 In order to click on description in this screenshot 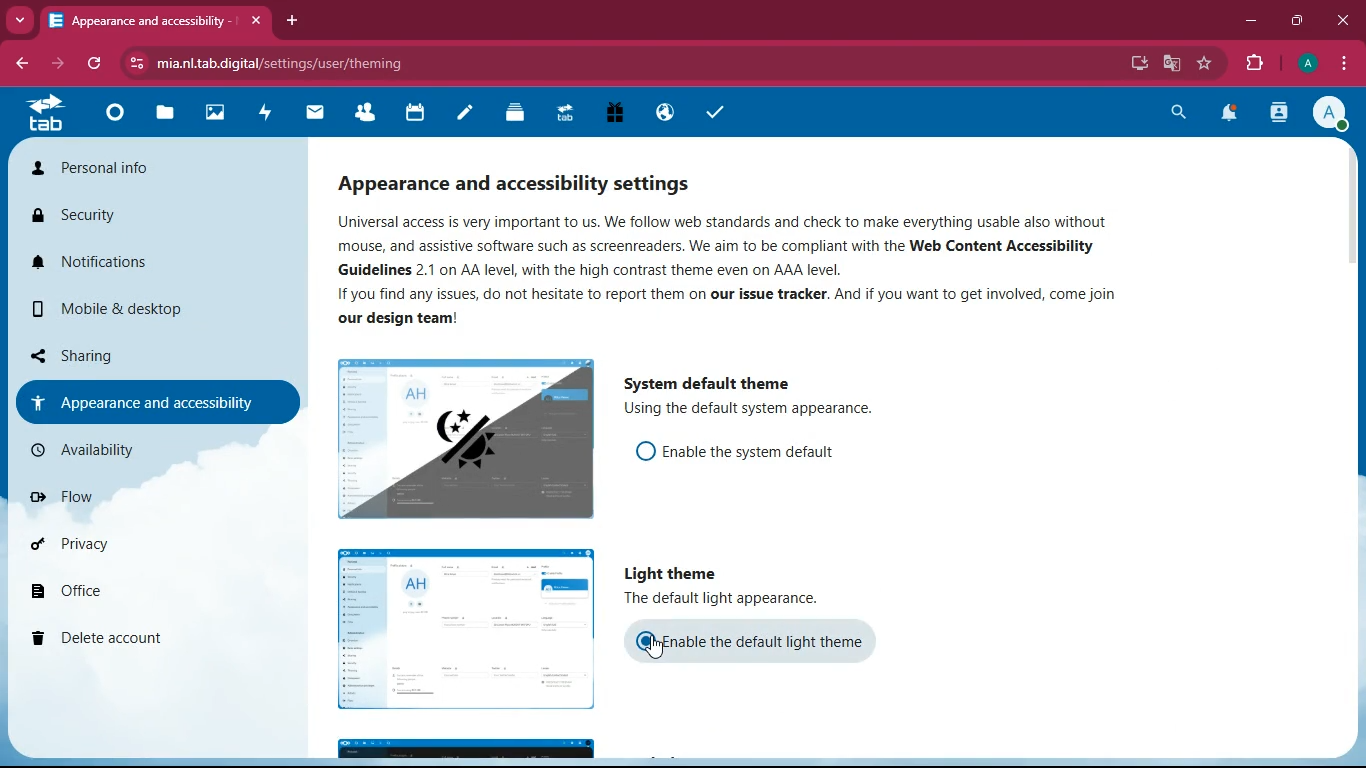, I will do `click(733, 599)`.